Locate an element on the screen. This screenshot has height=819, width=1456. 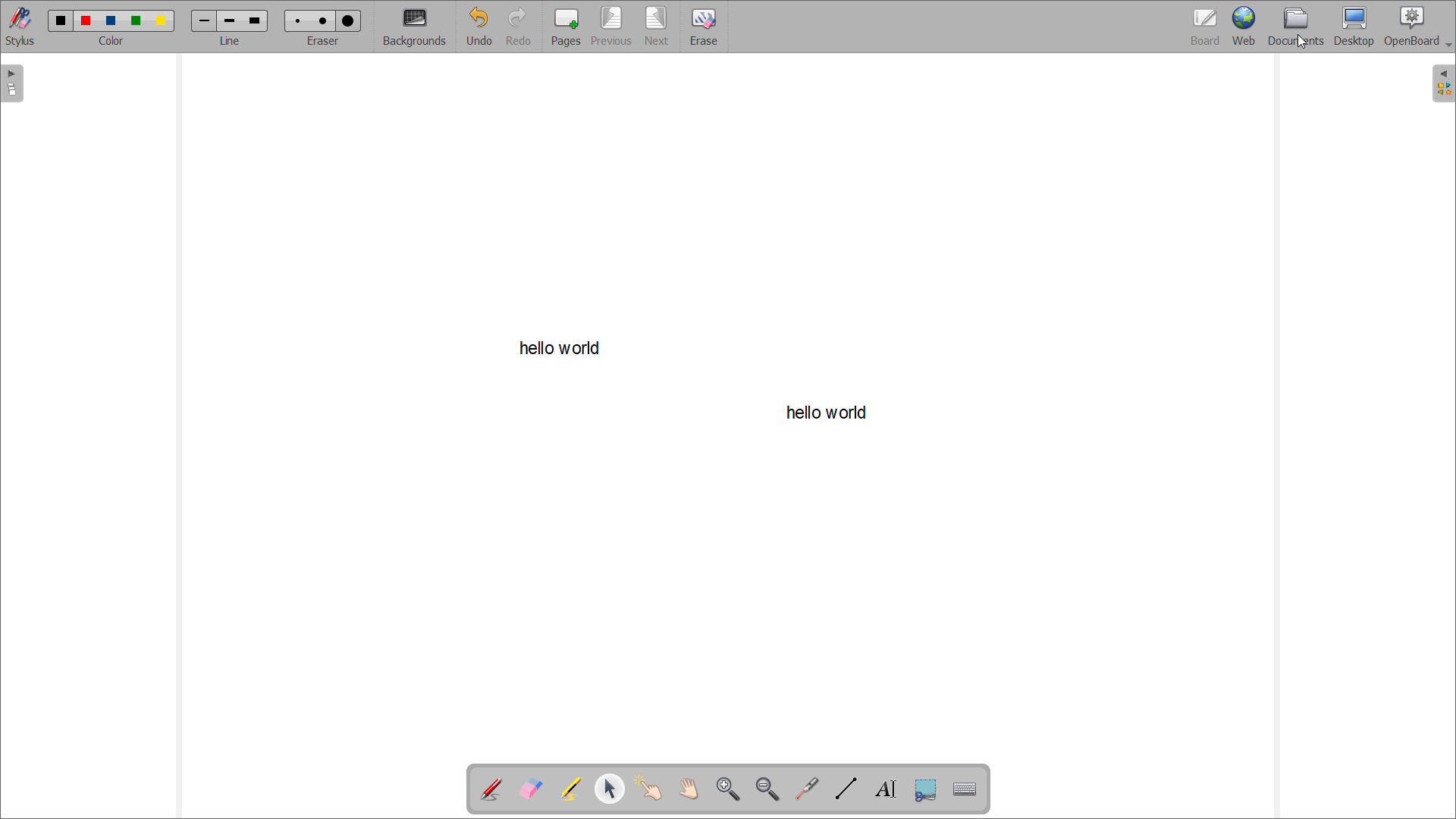
erase is located at coordinates (701, 25).